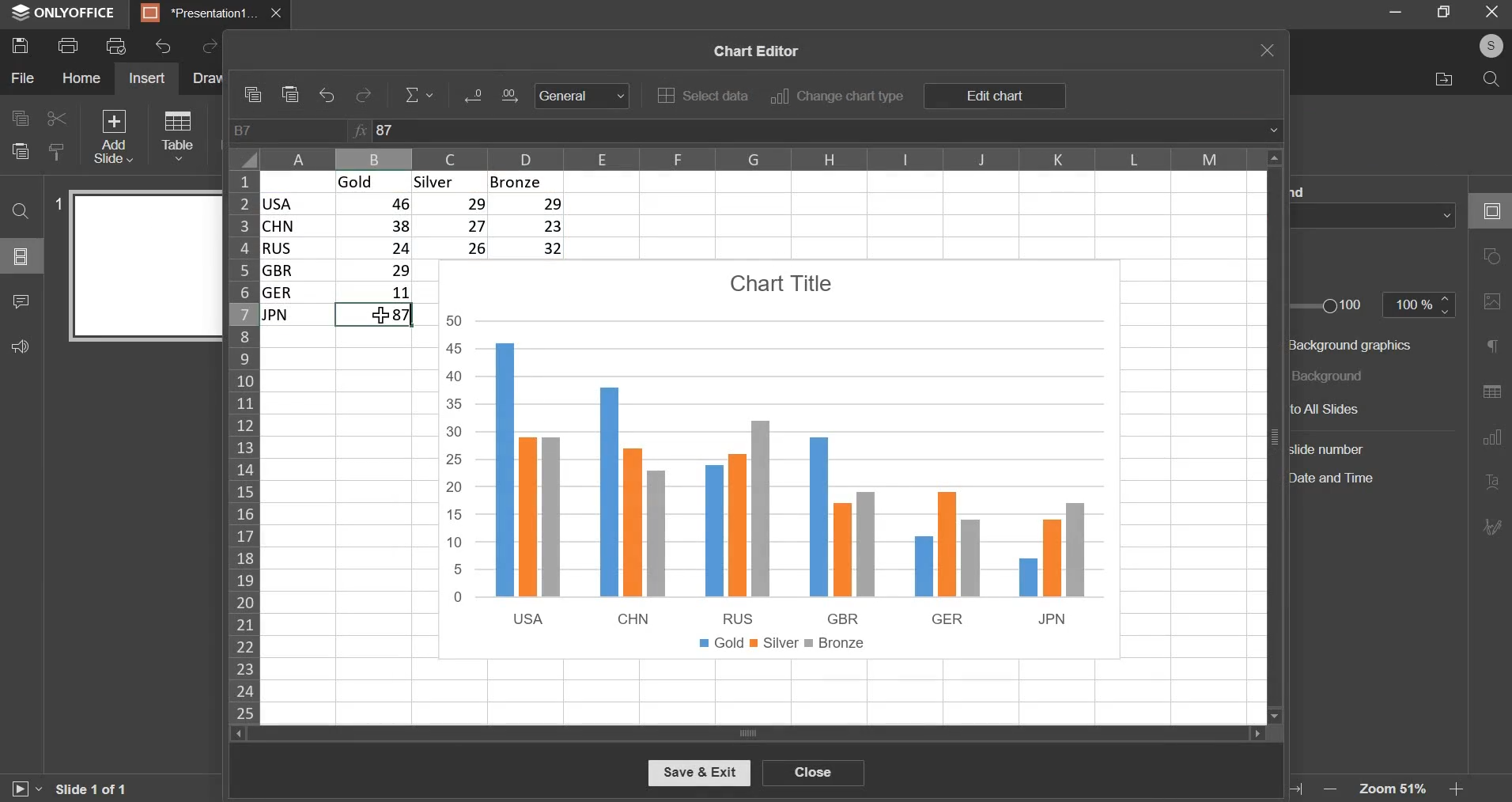  What do you see at coordinates (65, 14) in the screenshot?
I see `window name` at bounding box center [65, 14].